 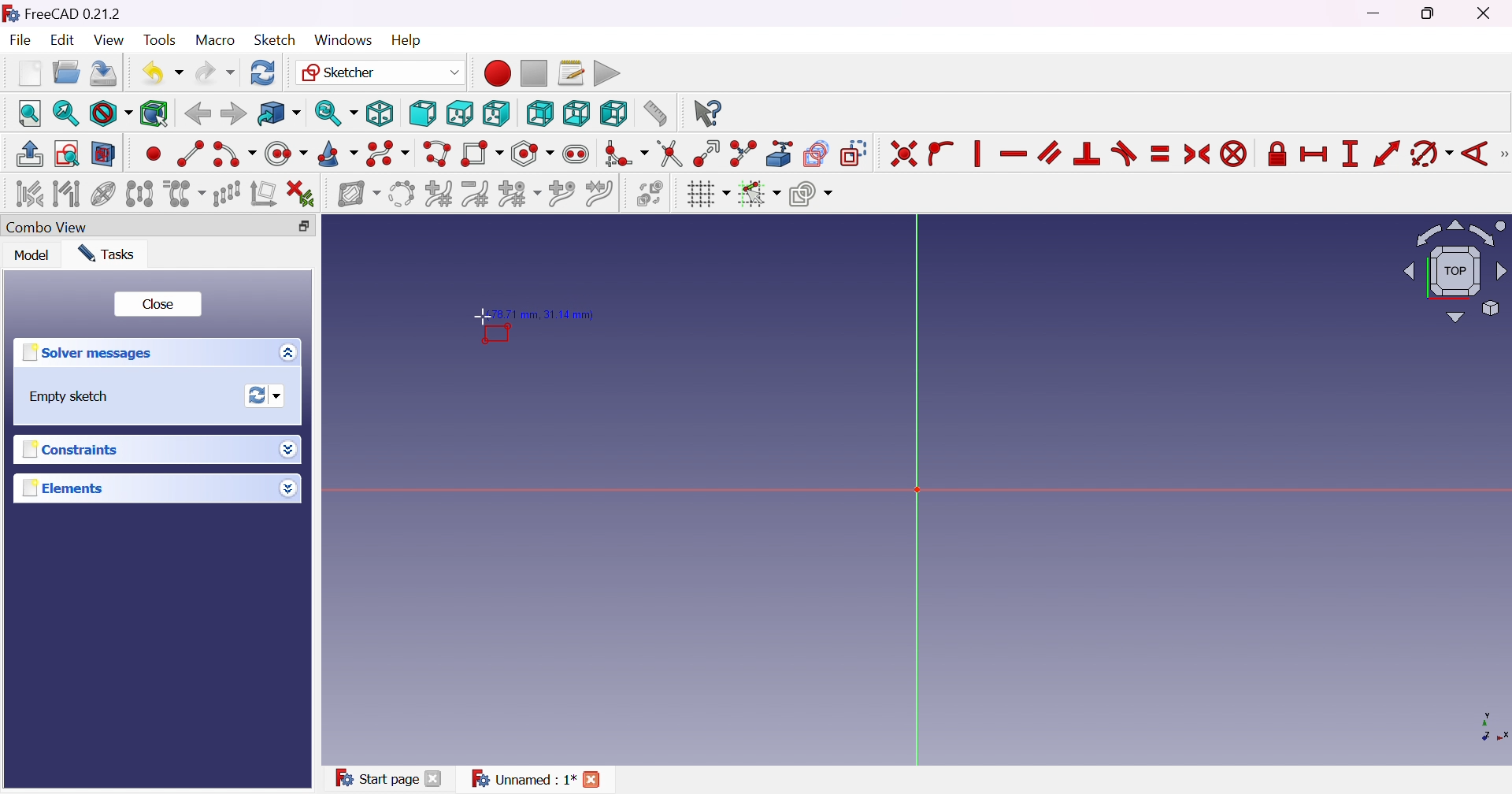 What do you see at coordinates (183, 193) in the screenshot?
I see `Clone` at bounding box center [183, 193].